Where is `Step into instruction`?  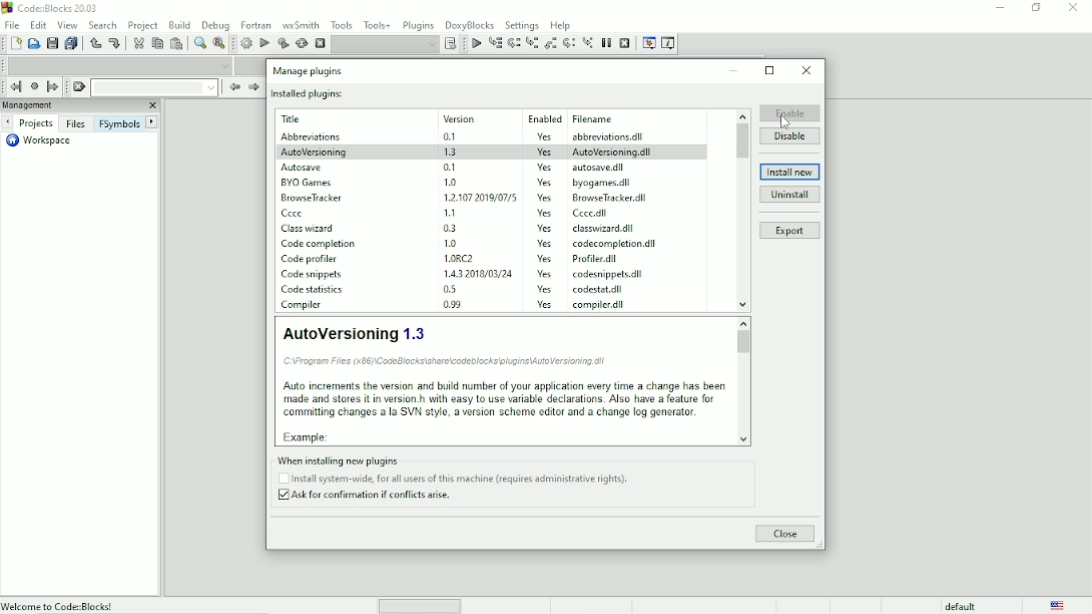 Step into instruction is located at coordinates (587, 43).